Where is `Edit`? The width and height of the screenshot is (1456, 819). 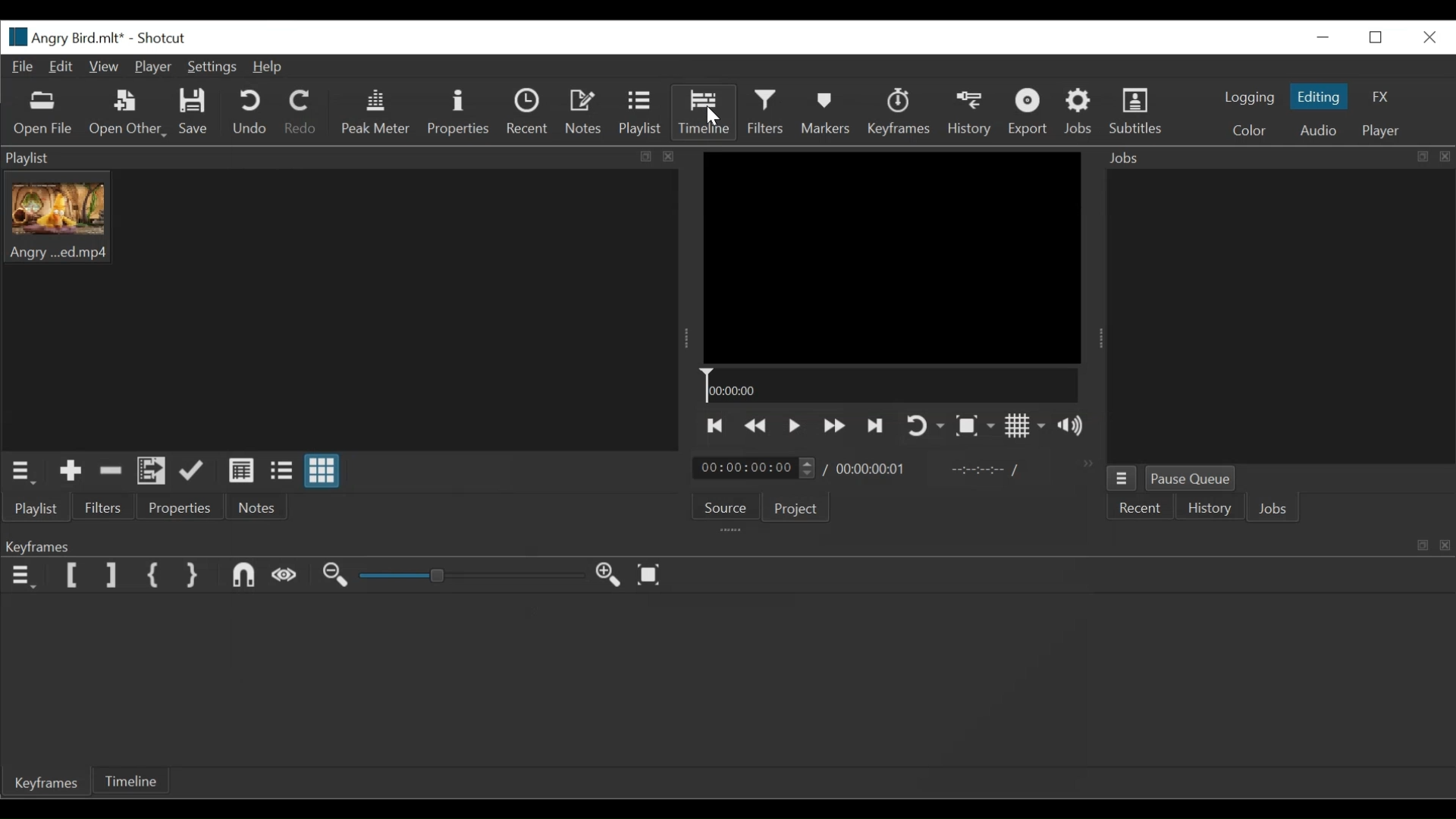 Edit is located at coordinates (61, 67).